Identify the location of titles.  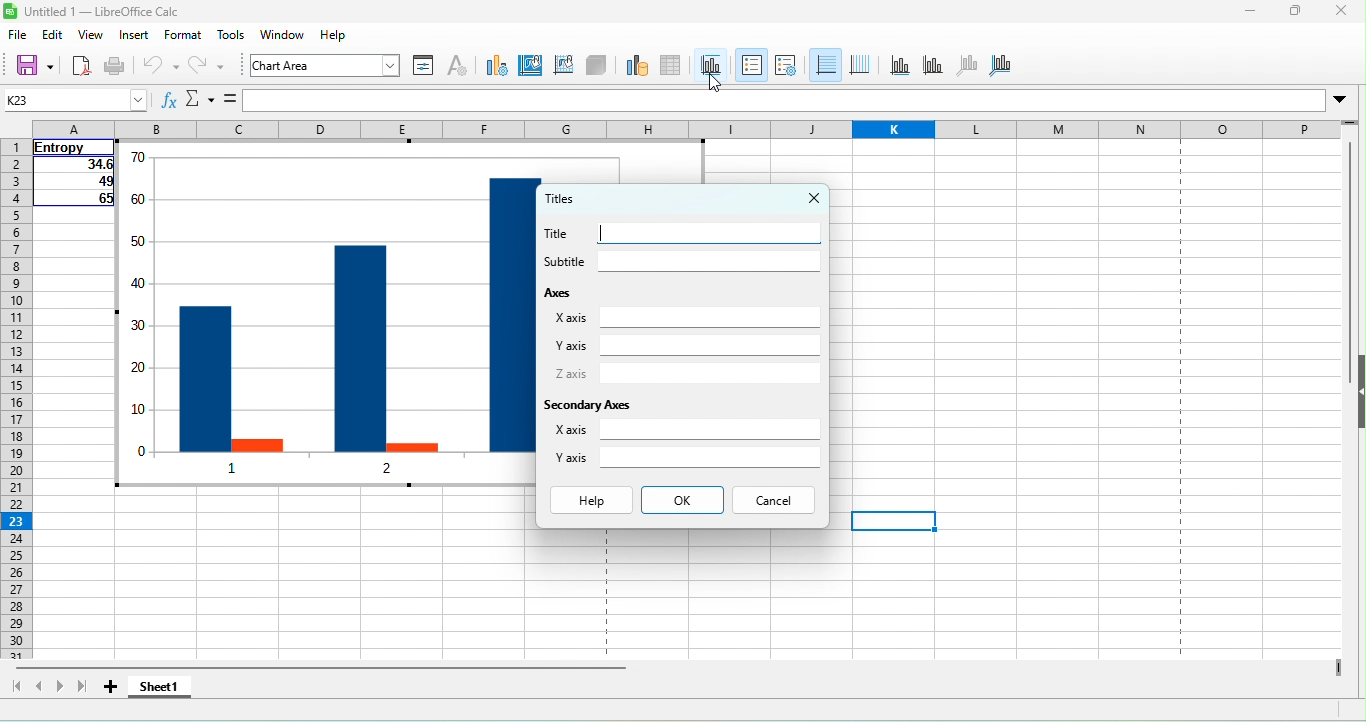
(576, 198).